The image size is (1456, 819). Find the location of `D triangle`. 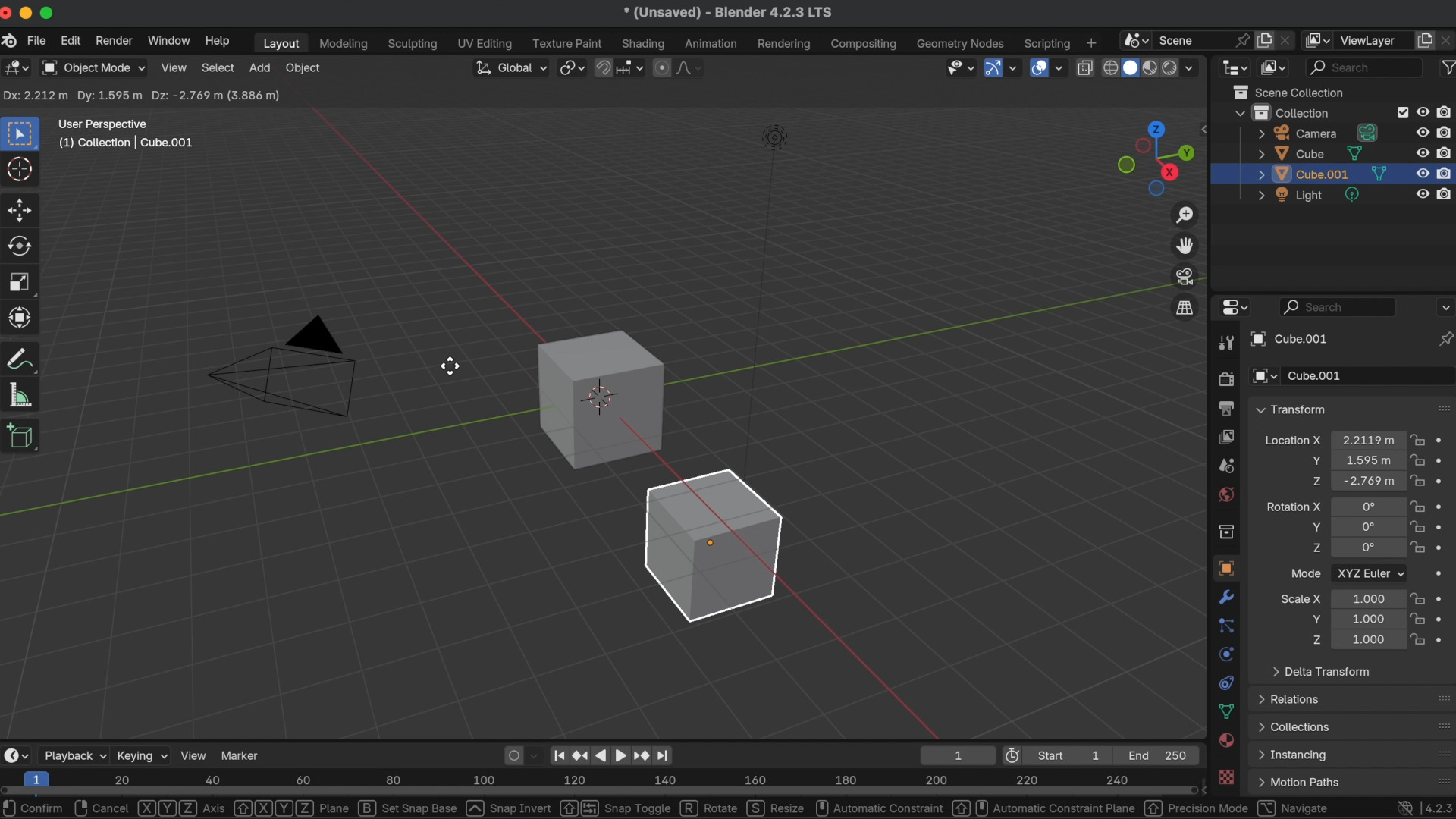

D triangle is located at coordinates (284, 364).